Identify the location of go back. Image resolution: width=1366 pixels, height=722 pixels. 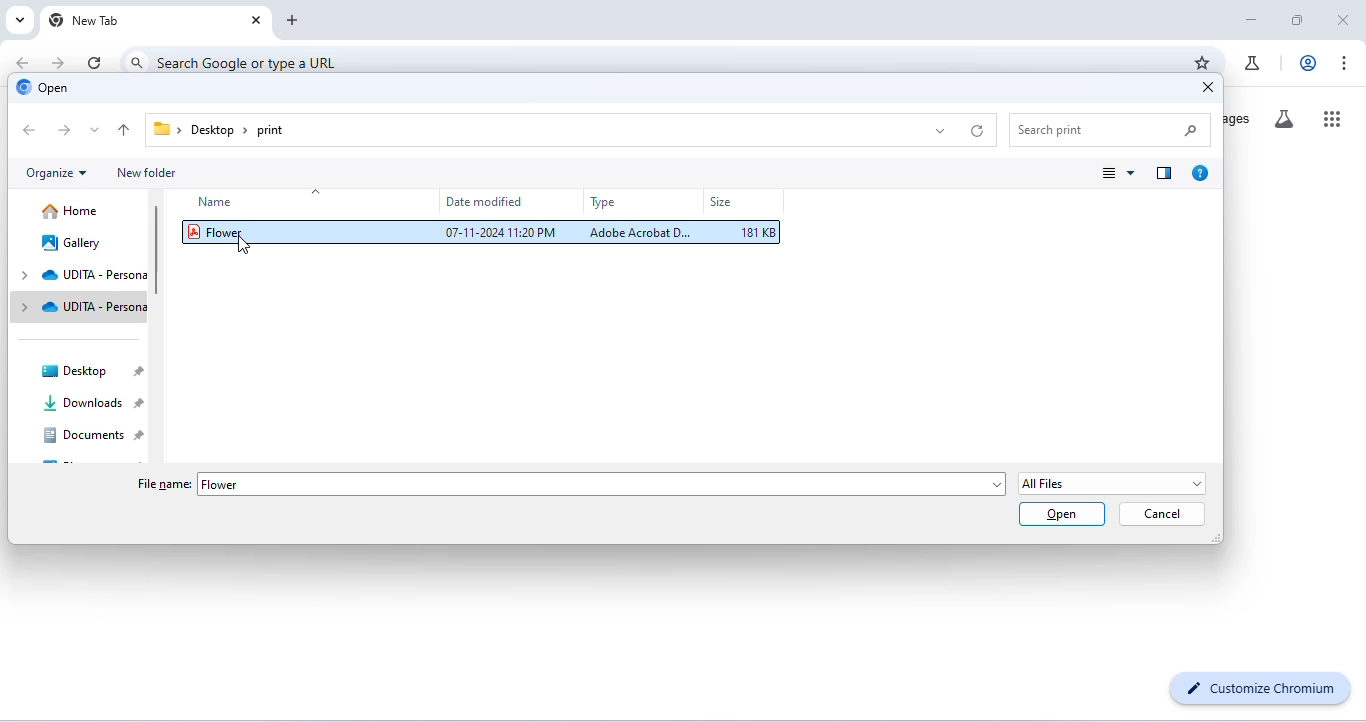
(23, 62).